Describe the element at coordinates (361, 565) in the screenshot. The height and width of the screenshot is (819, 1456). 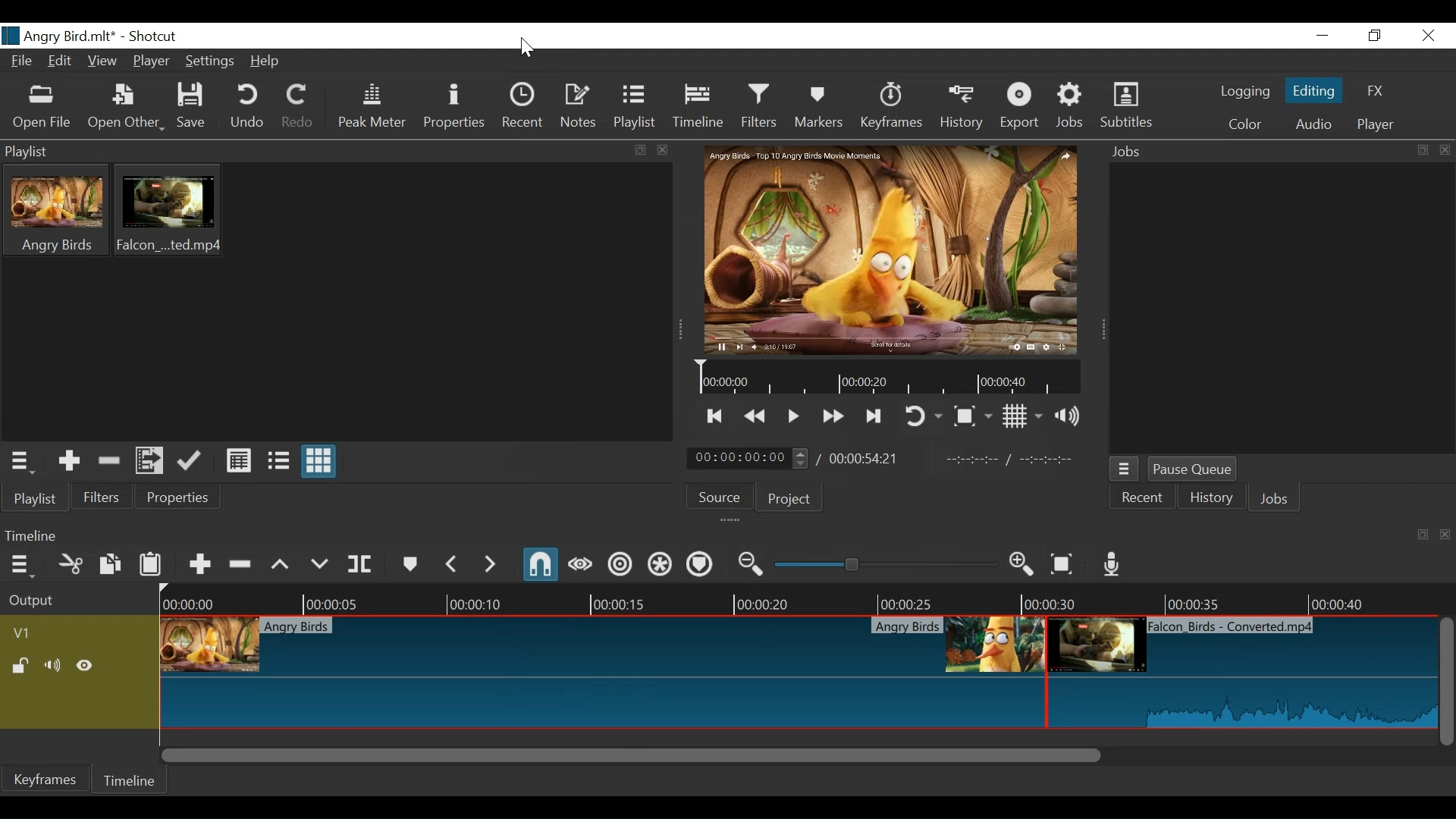
I see `Split at playhead` at that location.